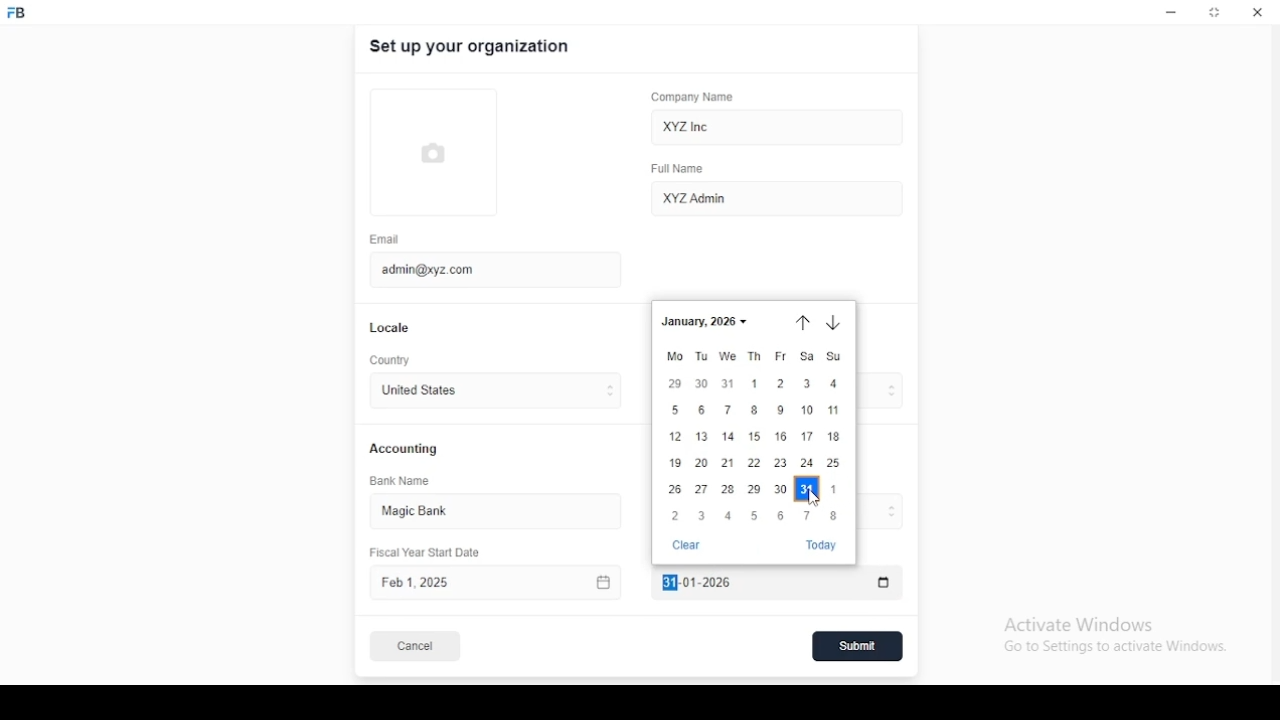 Image resolution: width=1280 pixels, height=720 pixels. I want to click on 2, so click(672, 518).